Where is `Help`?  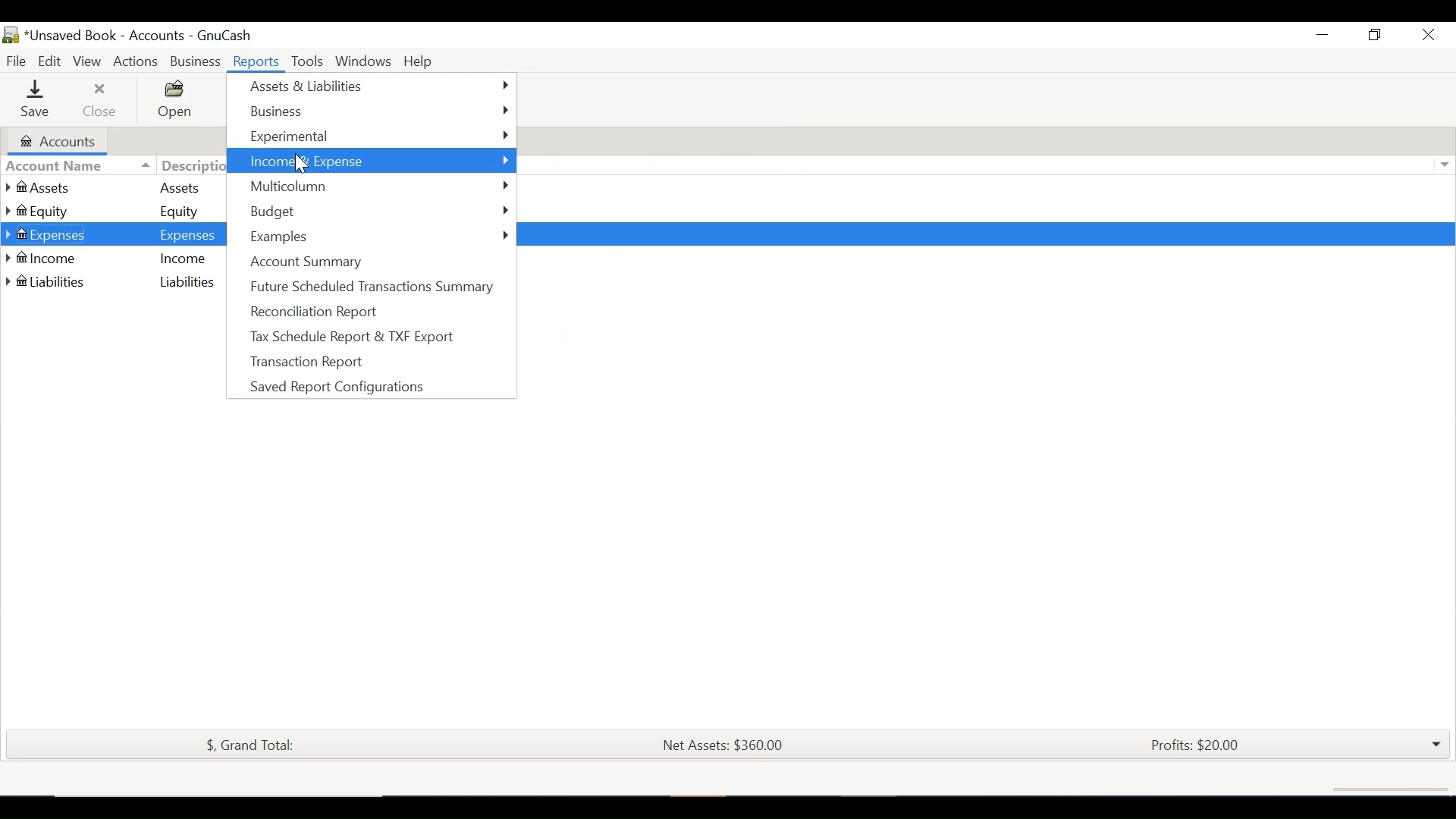 Help is located at coordinates (421, 61).